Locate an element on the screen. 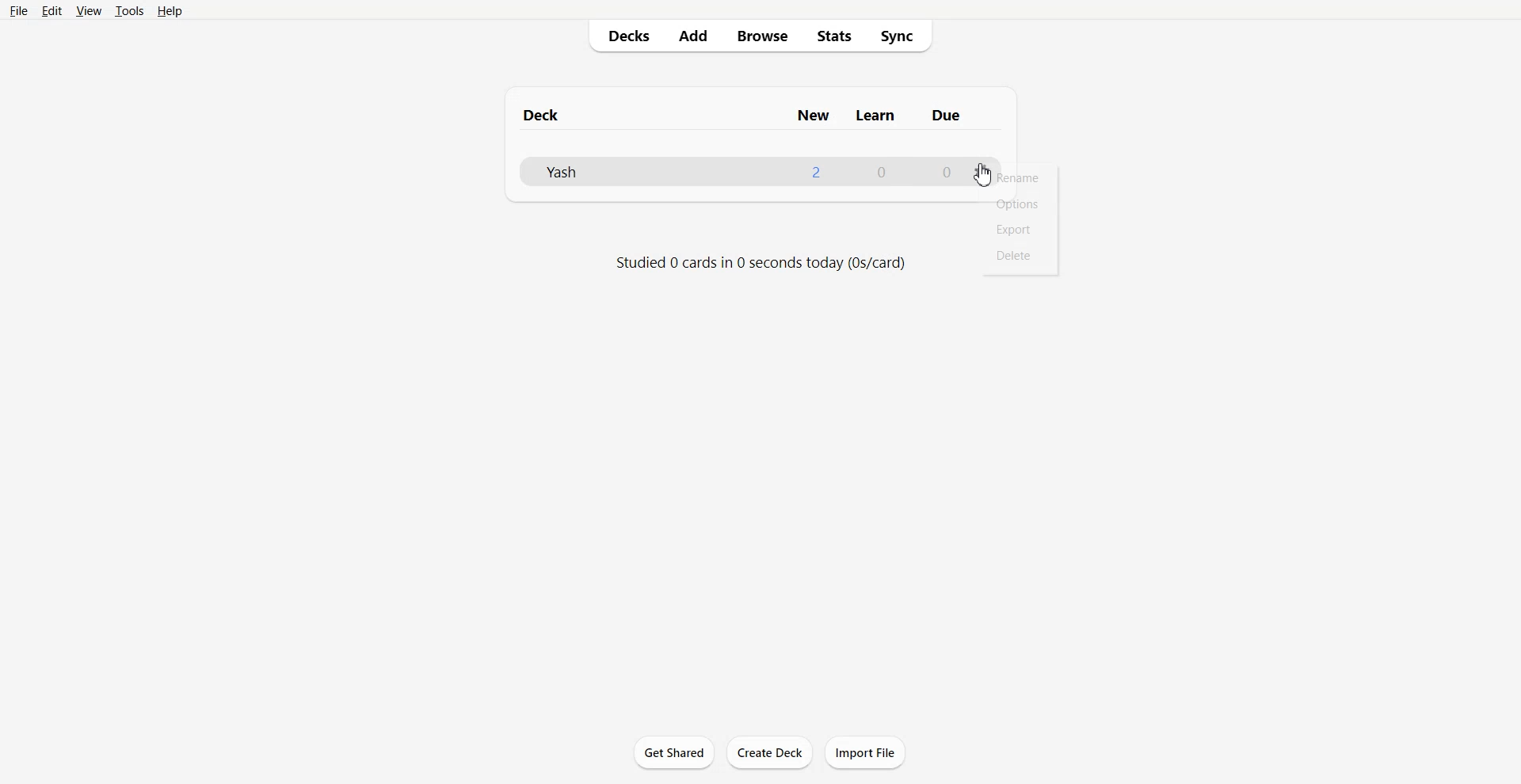 This screenshot has width=1521, height=784. Sync is located at coordinates (902, 36).